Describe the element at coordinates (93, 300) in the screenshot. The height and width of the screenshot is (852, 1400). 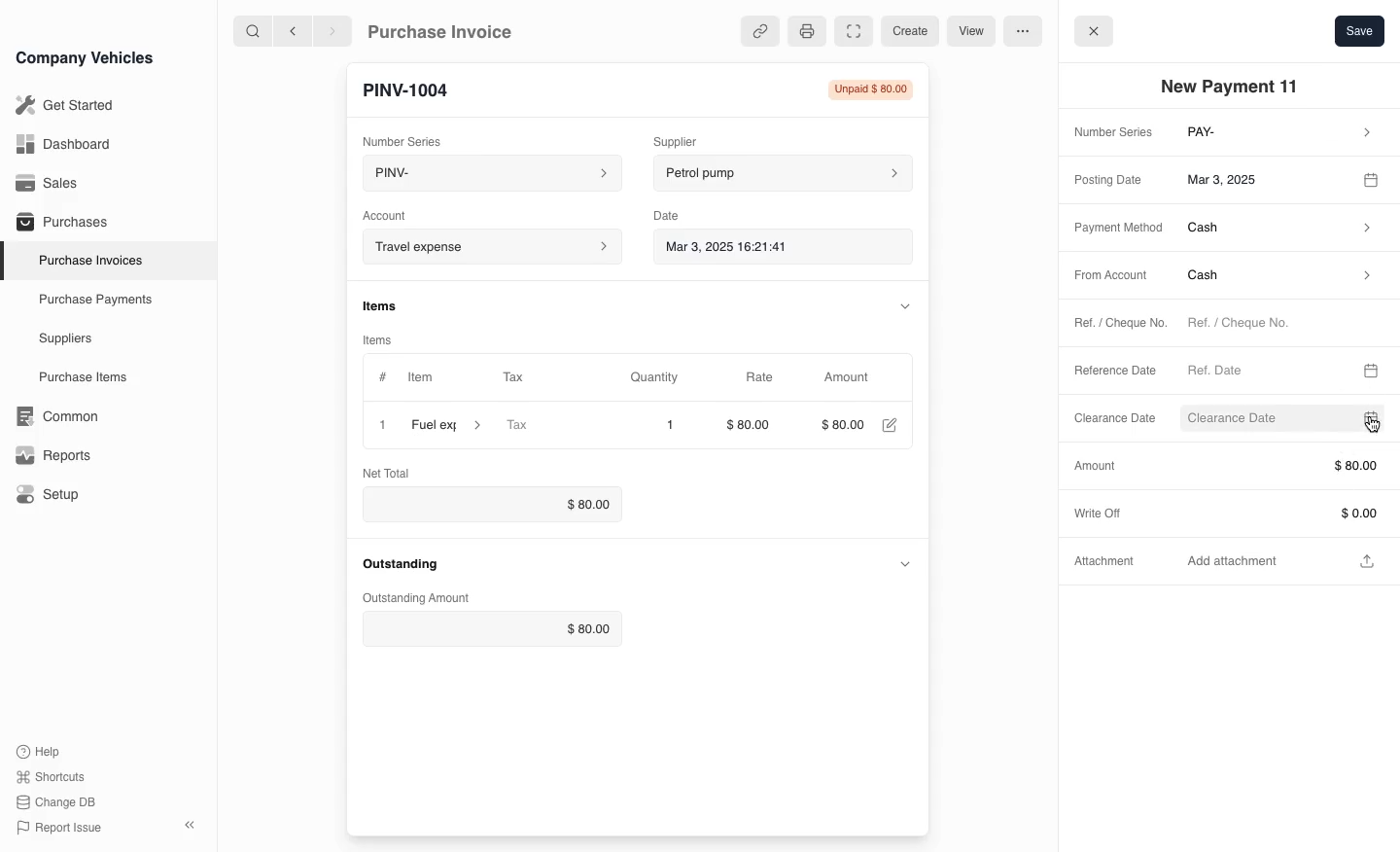
I see `Purchase Payments` at that location.